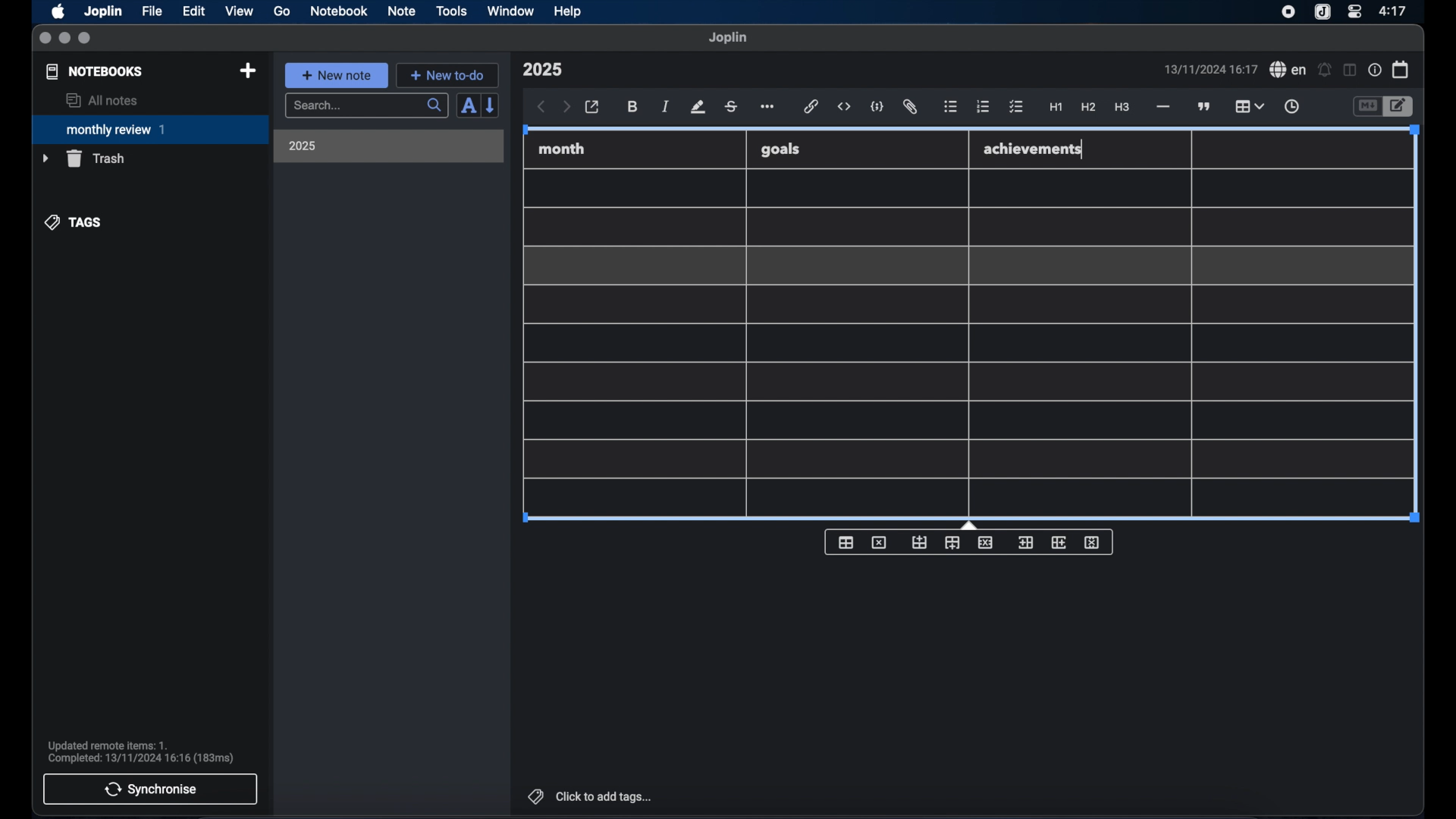  Describe the element at coordinates (728, 37) in the screenshot. I see `joplin` at that location.